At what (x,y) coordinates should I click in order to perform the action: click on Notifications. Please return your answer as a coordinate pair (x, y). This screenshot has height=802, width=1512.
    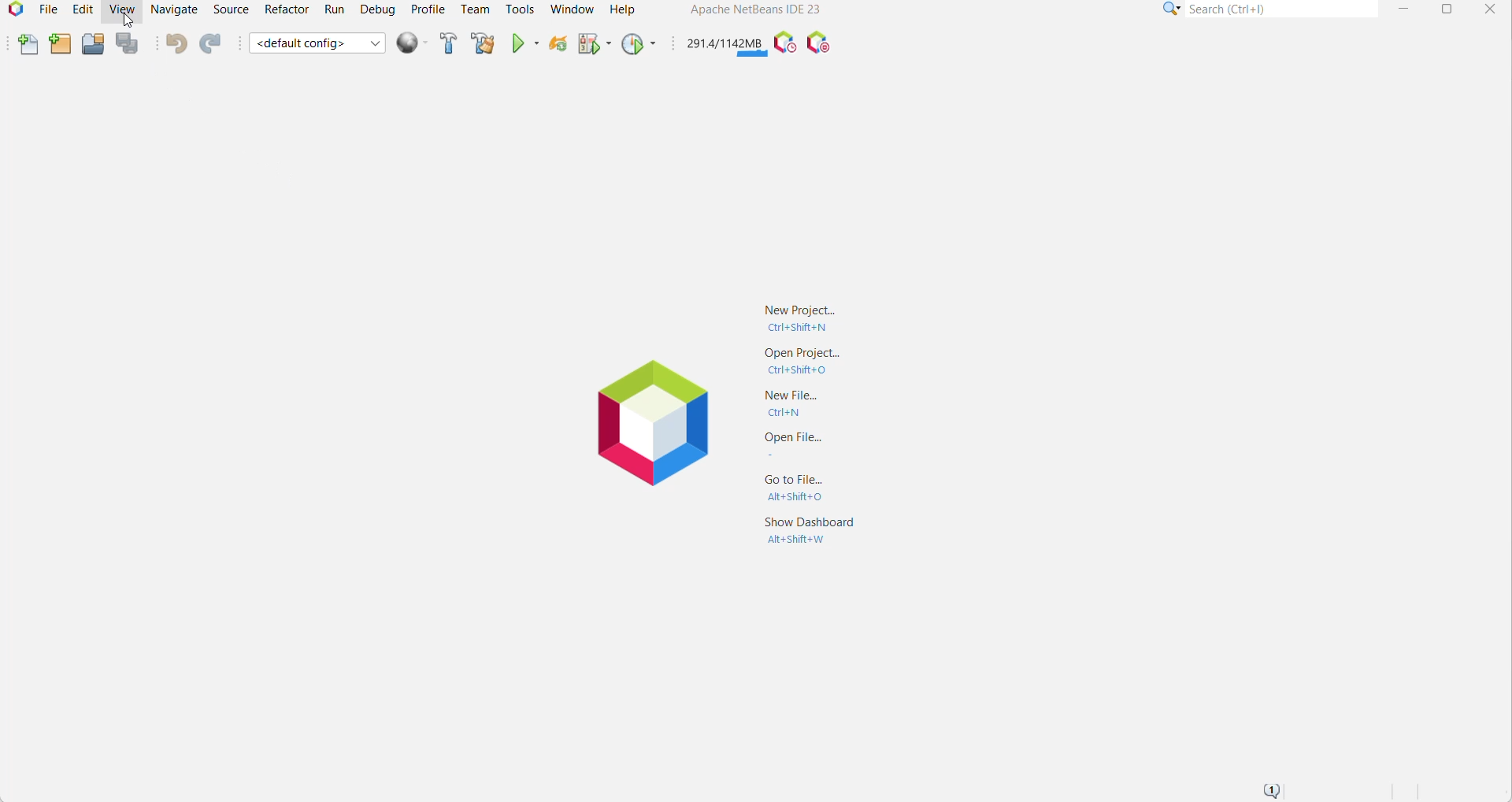
    Looking at the image, I should click on (1270, 790).